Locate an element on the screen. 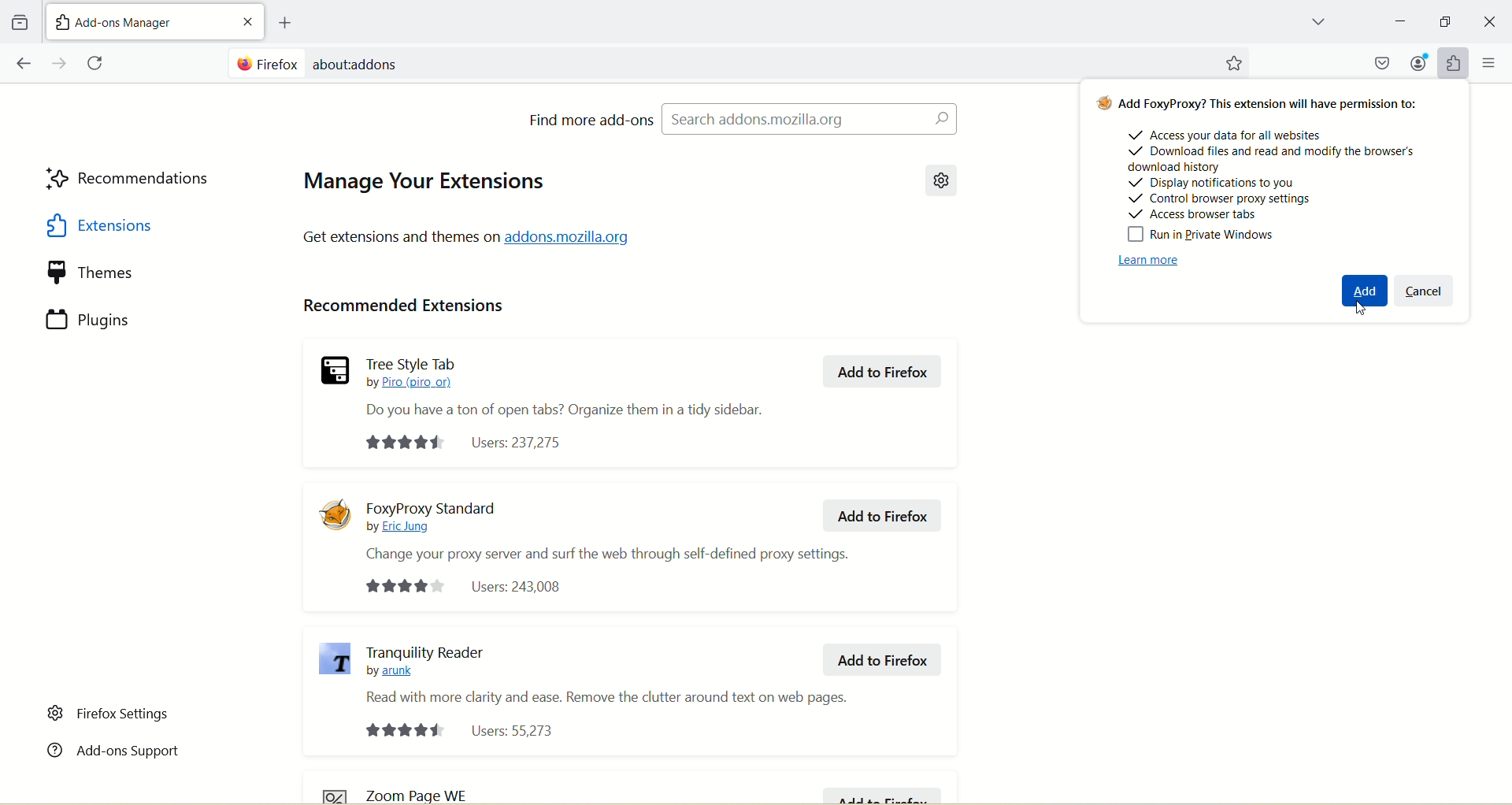 This screenshot has height=805, width=1512. Firefox settings is located at coordinates (110, 714).